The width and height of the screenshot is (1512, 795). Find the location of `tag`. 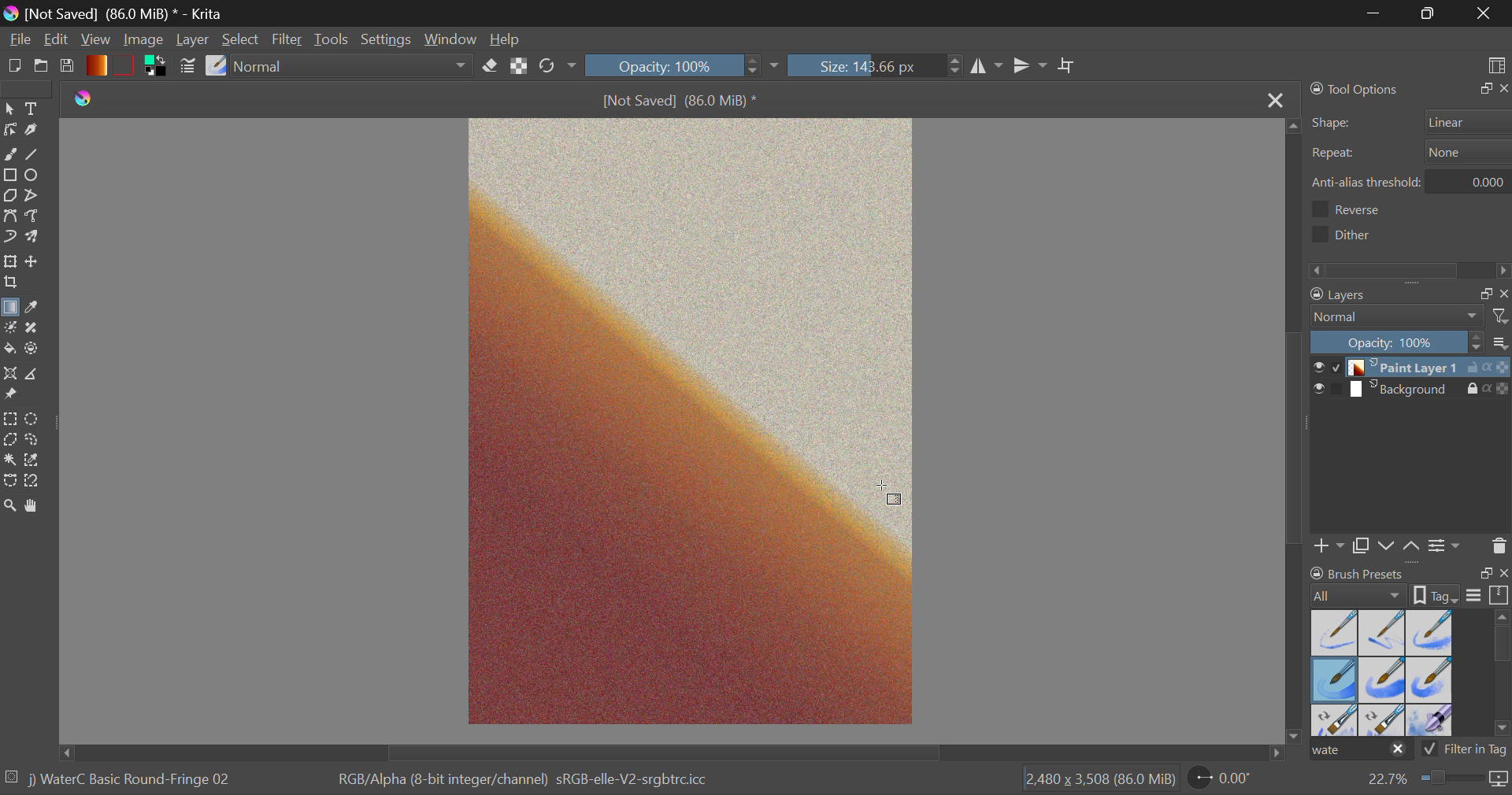

tag is located at coordinates (1501, 751).